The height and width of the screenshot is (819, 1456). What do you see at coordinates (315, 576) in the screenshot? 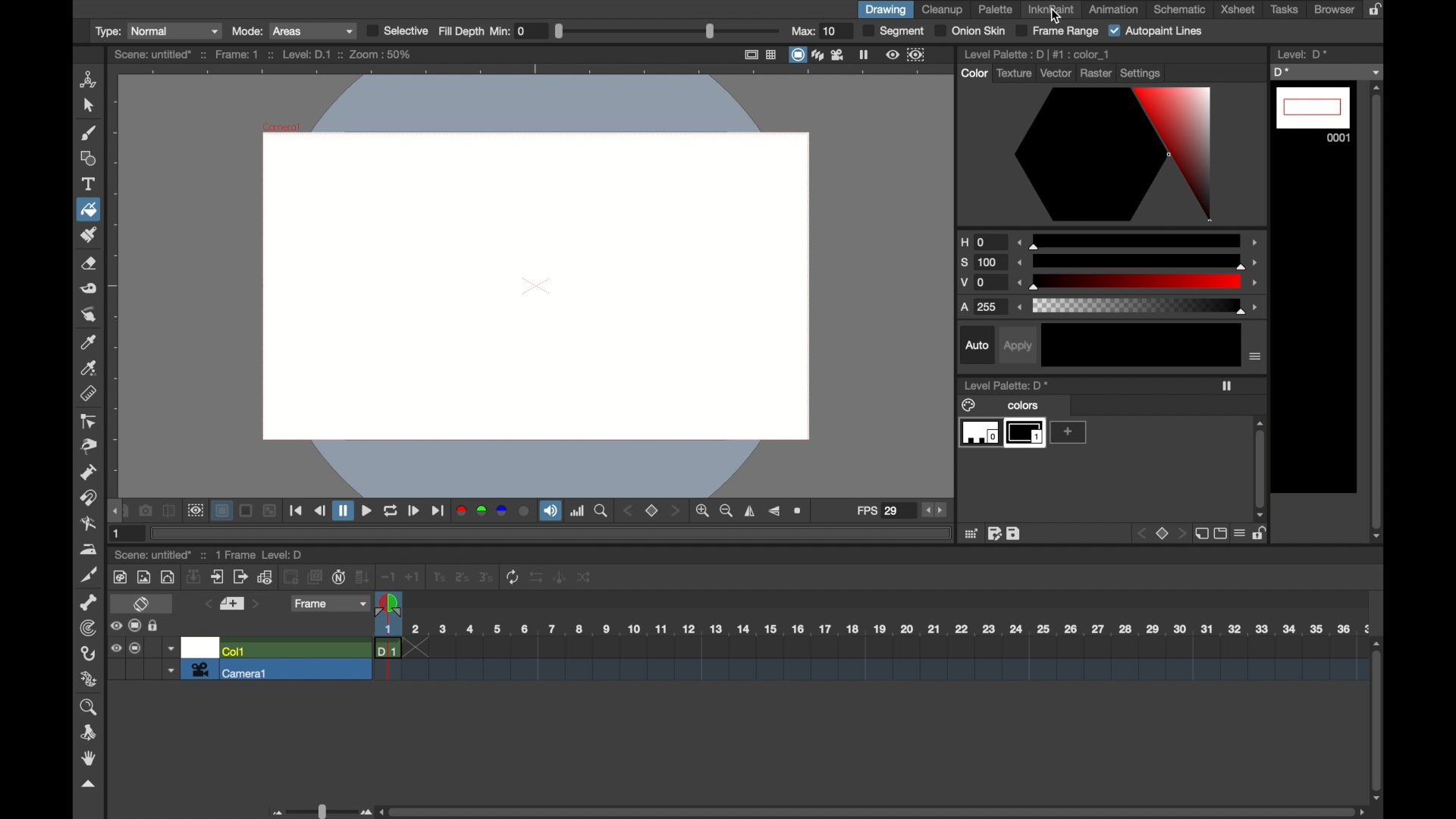
I see `screens` at bounding box center [315, 576].